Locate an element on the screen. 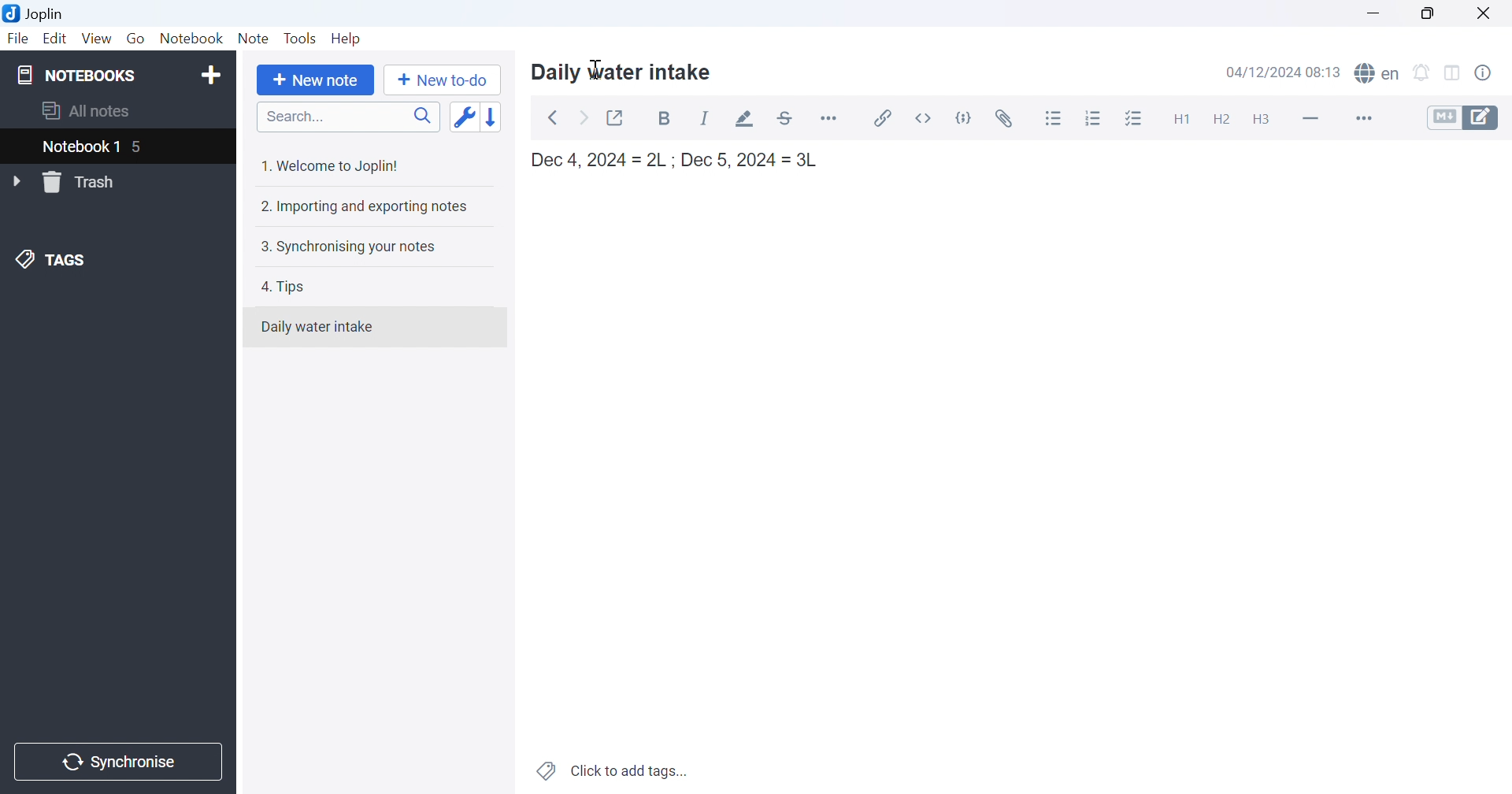 The height and width of the screenshot is (794, 1512). Attach file is located at coordinates (1005, 118).